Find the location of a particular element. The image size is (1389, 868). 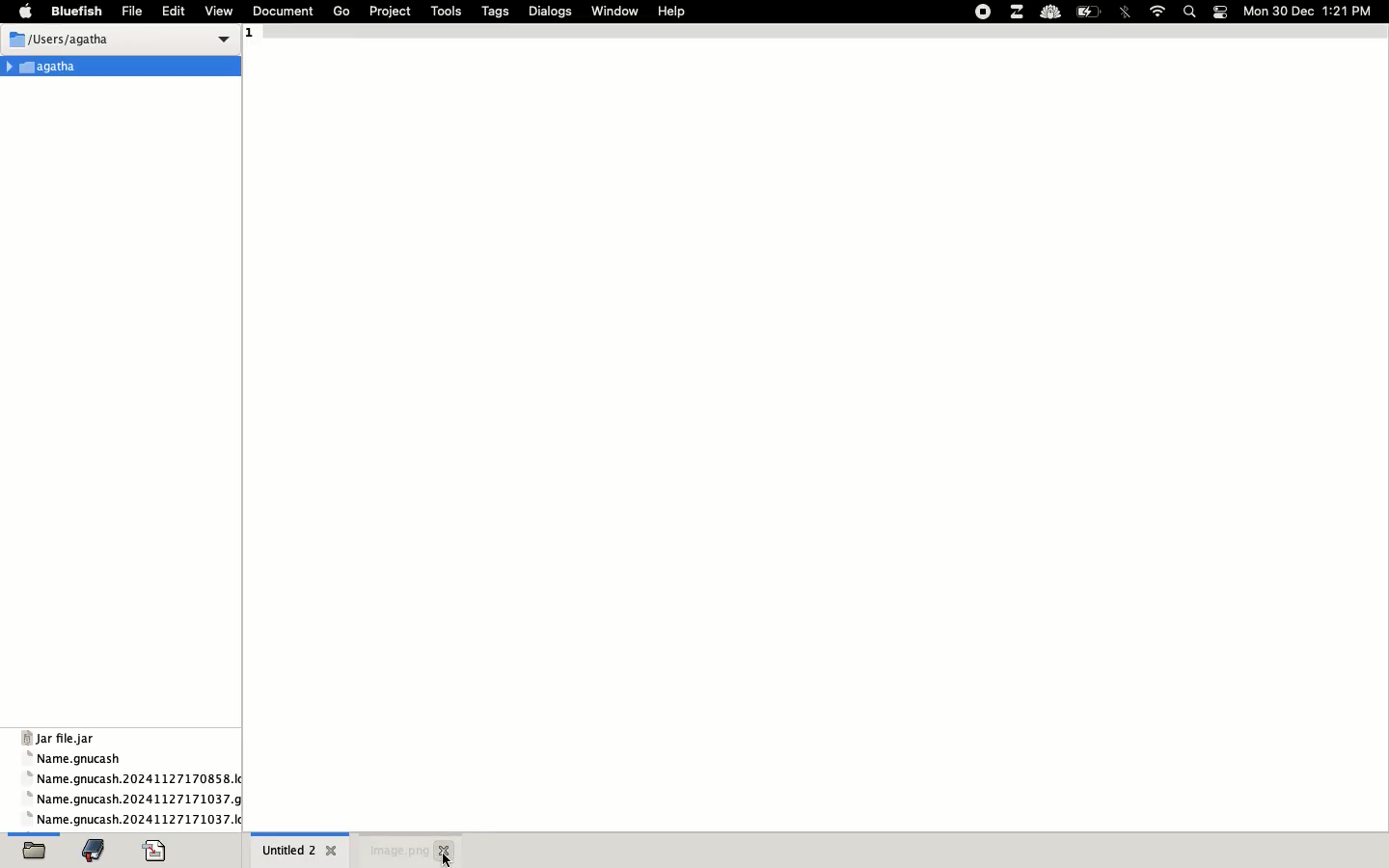

open is located at coordinates (35, 850).